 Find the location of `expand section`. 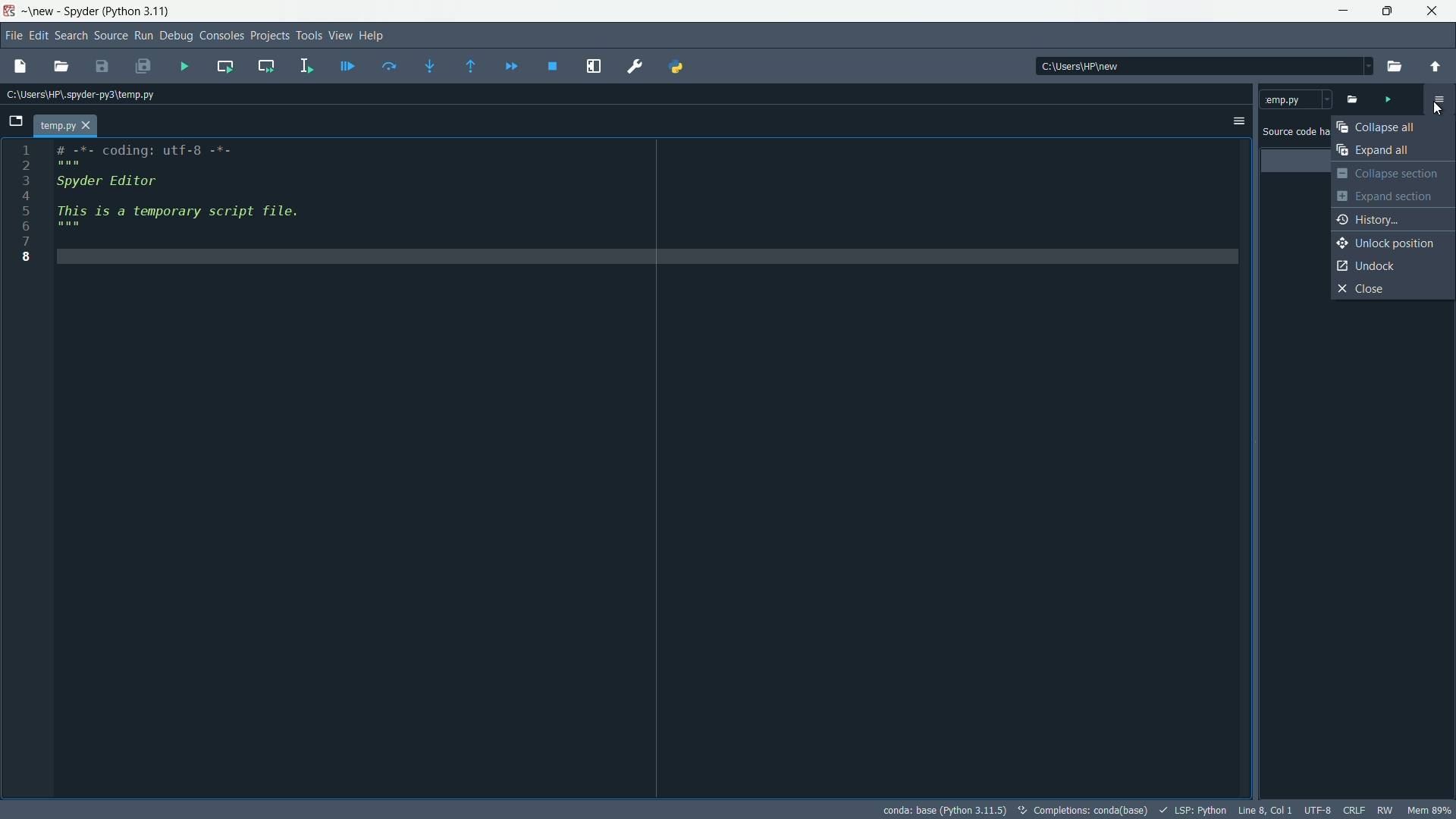

expand section is located at coordinates (1393, 196).